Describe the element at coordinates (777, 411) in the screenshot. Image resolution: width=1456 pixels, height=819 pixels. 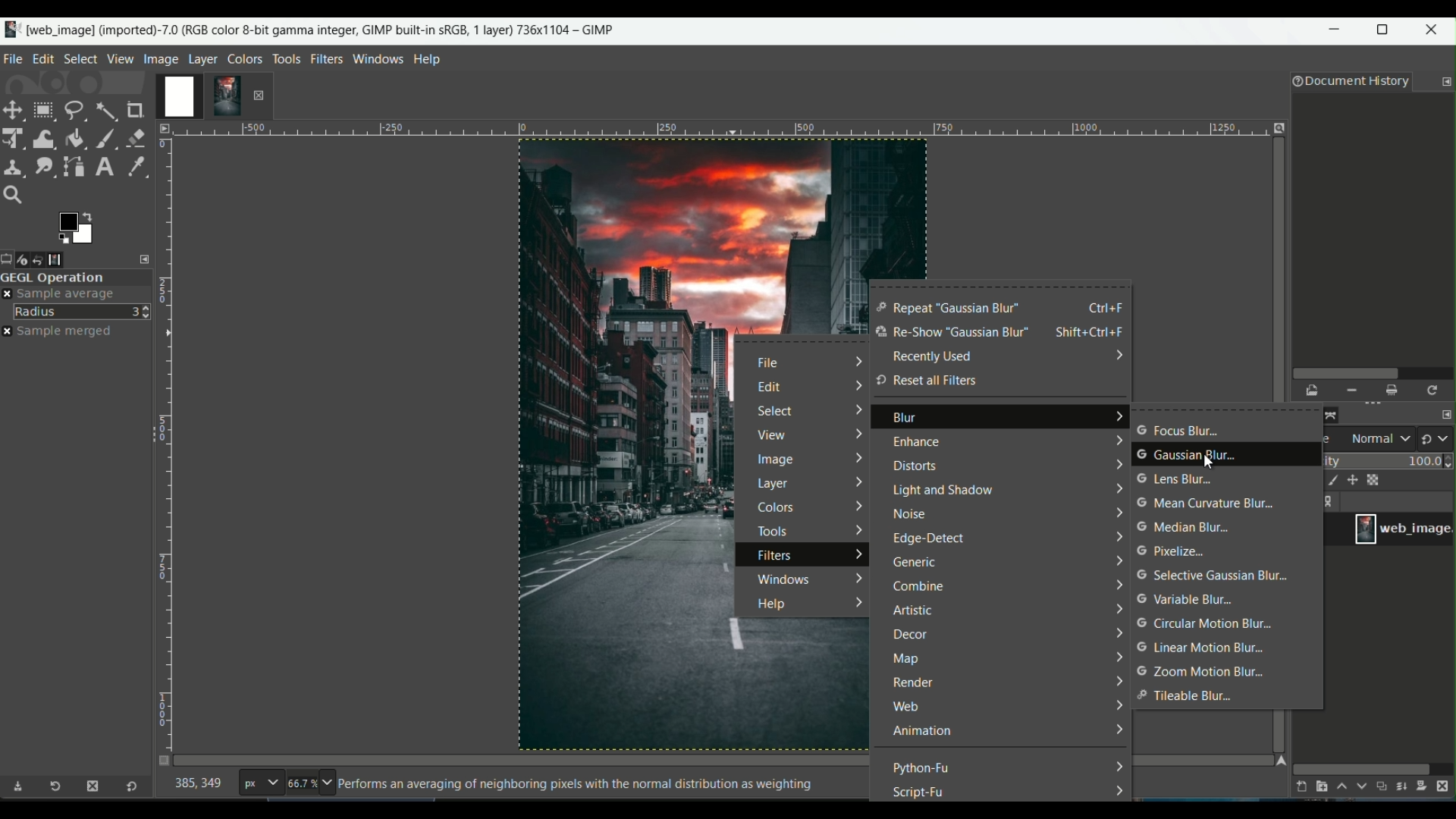
I see `select` at that location.